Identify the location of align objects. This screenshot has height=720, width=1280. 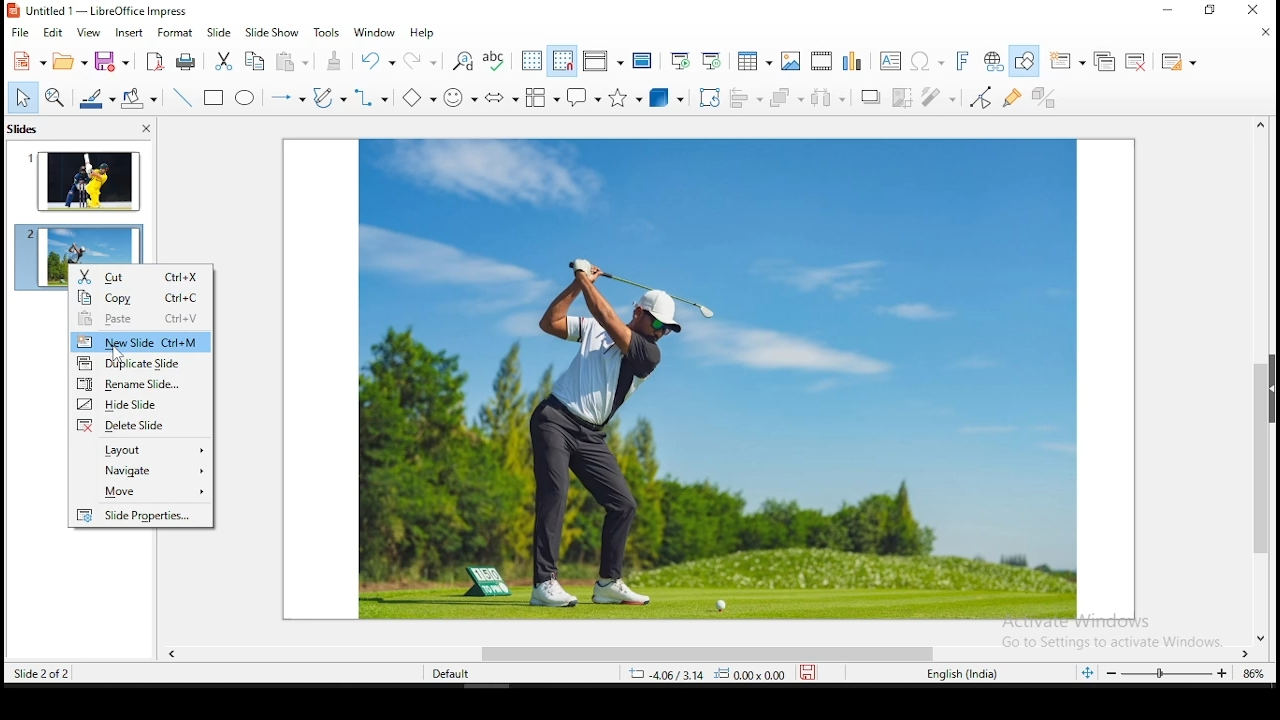
(747, 99).